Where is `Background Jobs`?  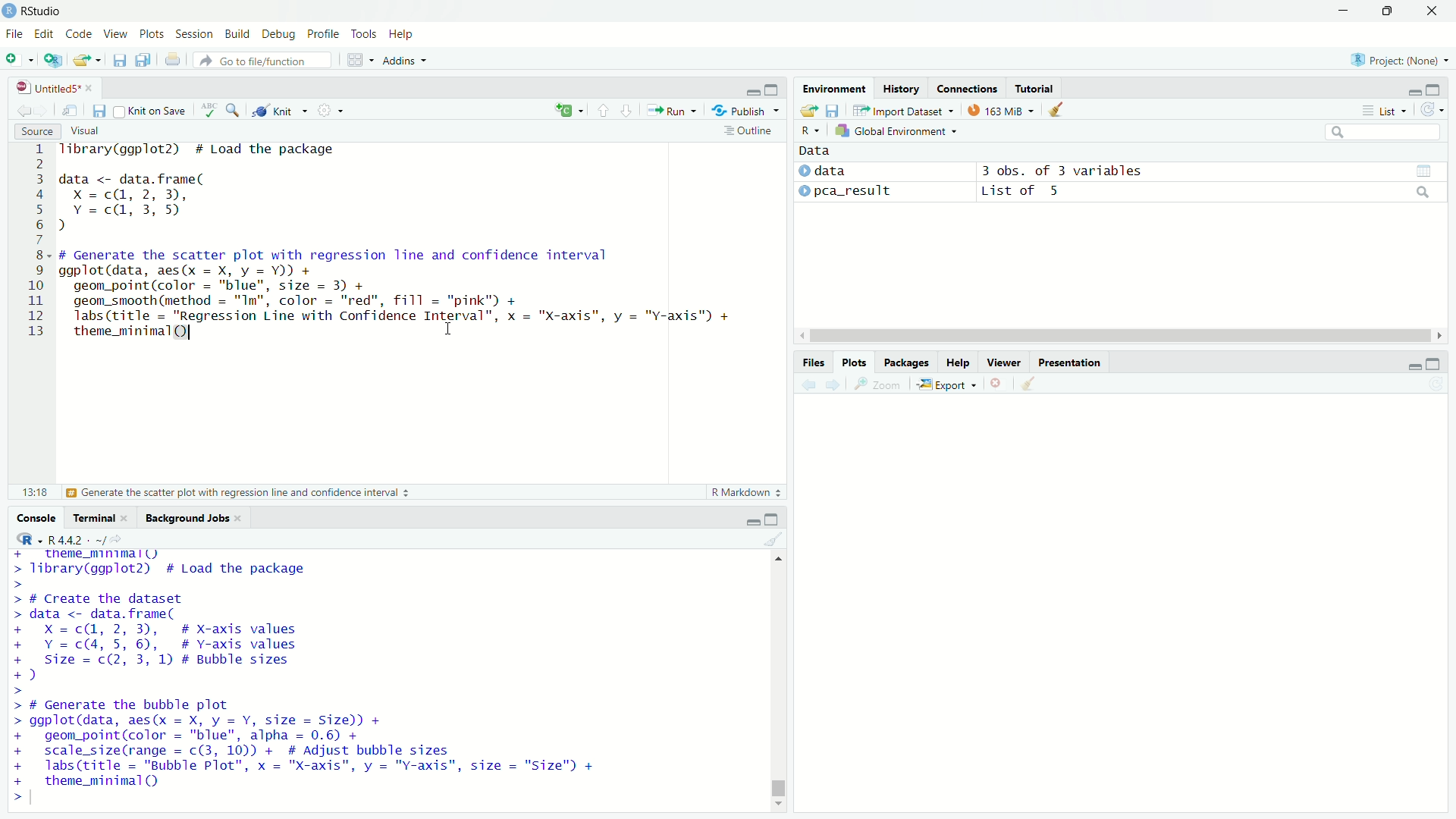
Background Jobs is located at coordinates (185, 519).